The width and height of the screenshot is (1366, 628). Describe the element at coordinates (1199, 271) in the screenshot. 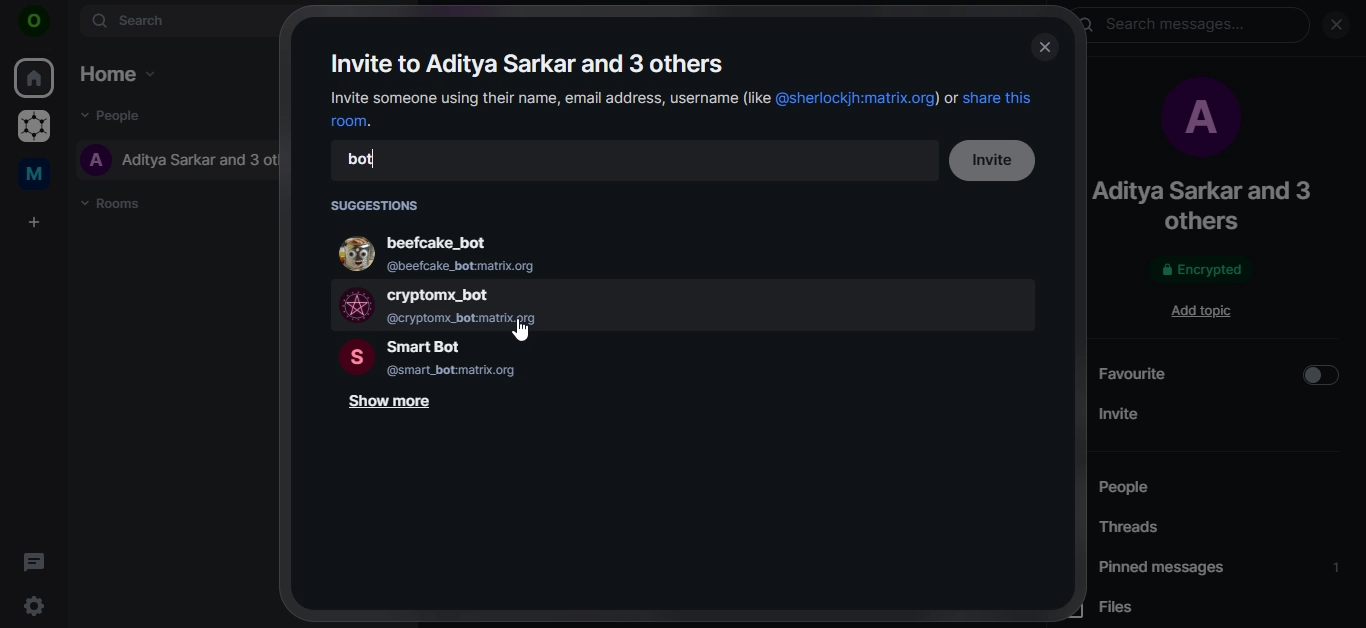

I see `encrypted` at that location.